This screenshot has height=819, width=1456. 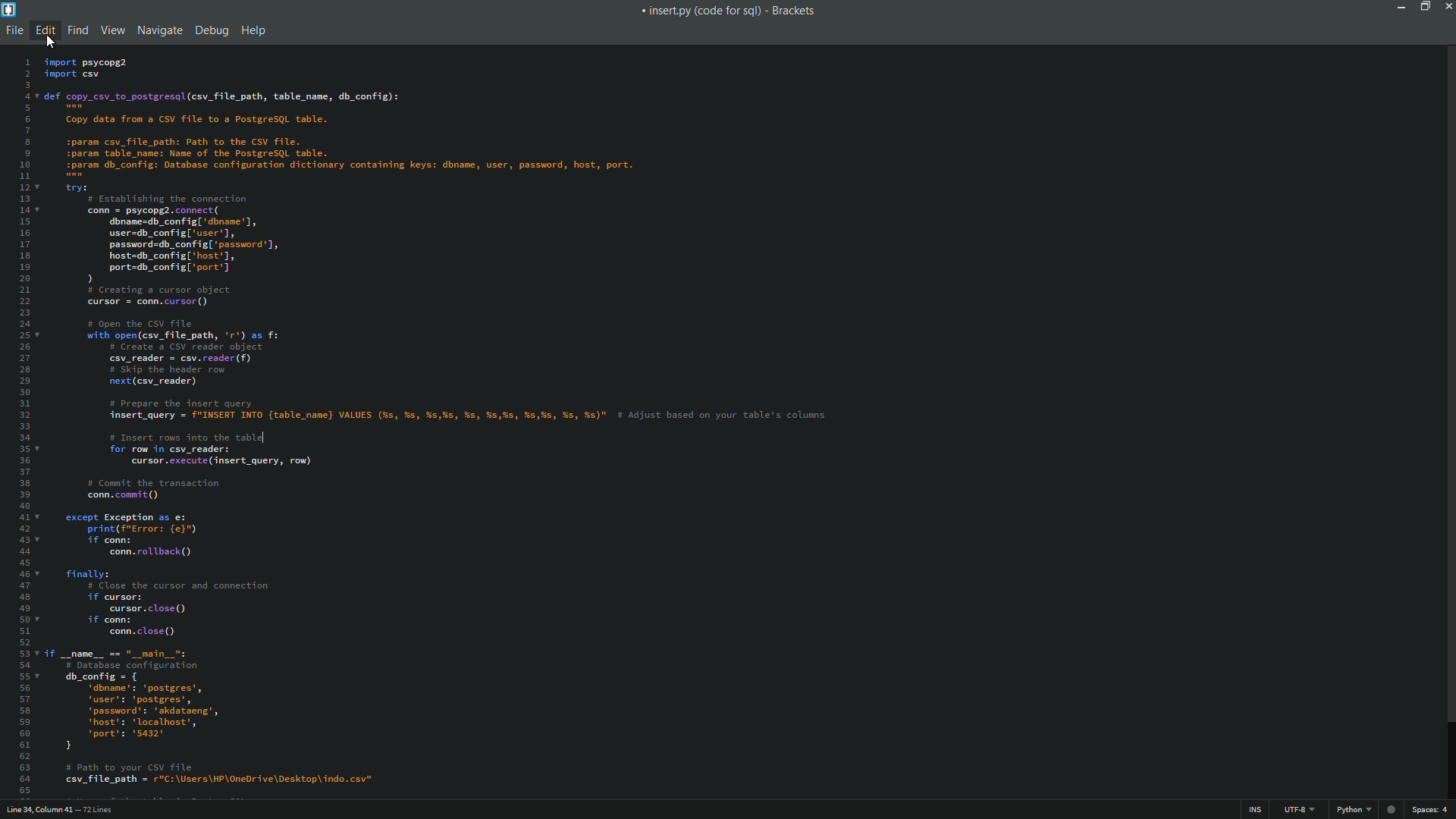 I want to click on navigate menu, so click(x=158, y=30).